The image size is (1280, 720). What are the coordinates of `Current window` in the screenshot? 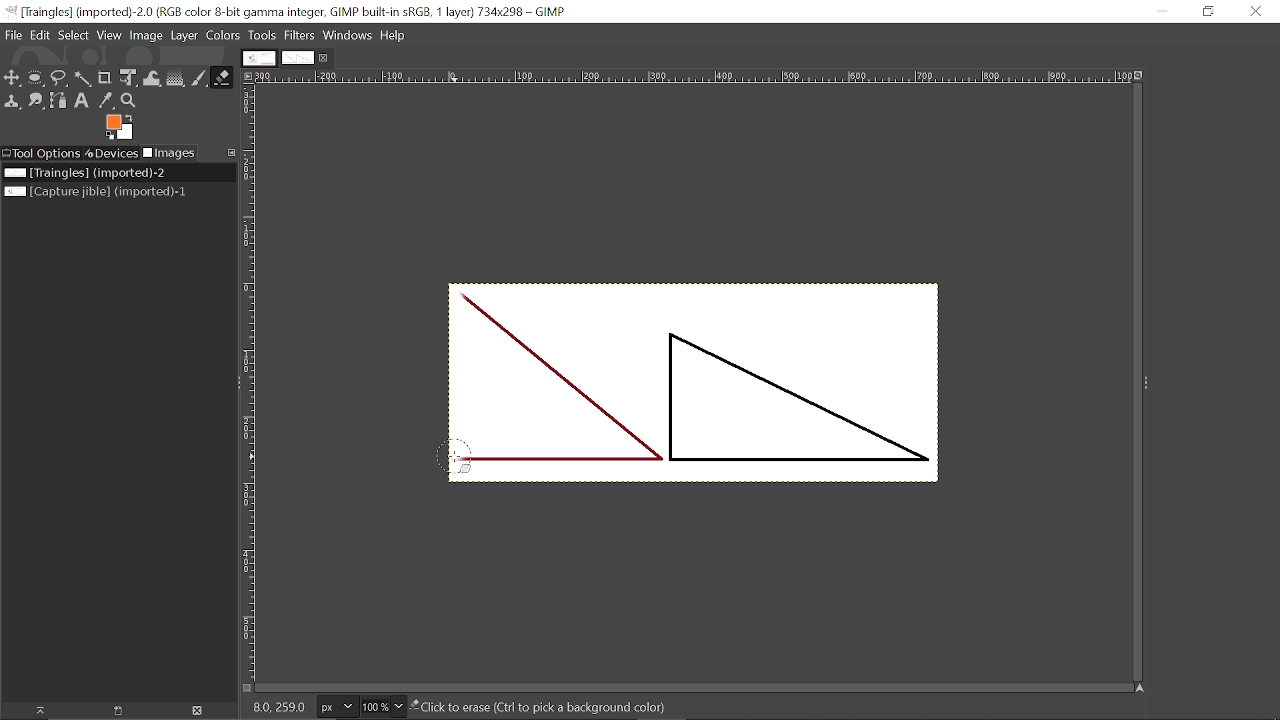 It's located at (294, 11).